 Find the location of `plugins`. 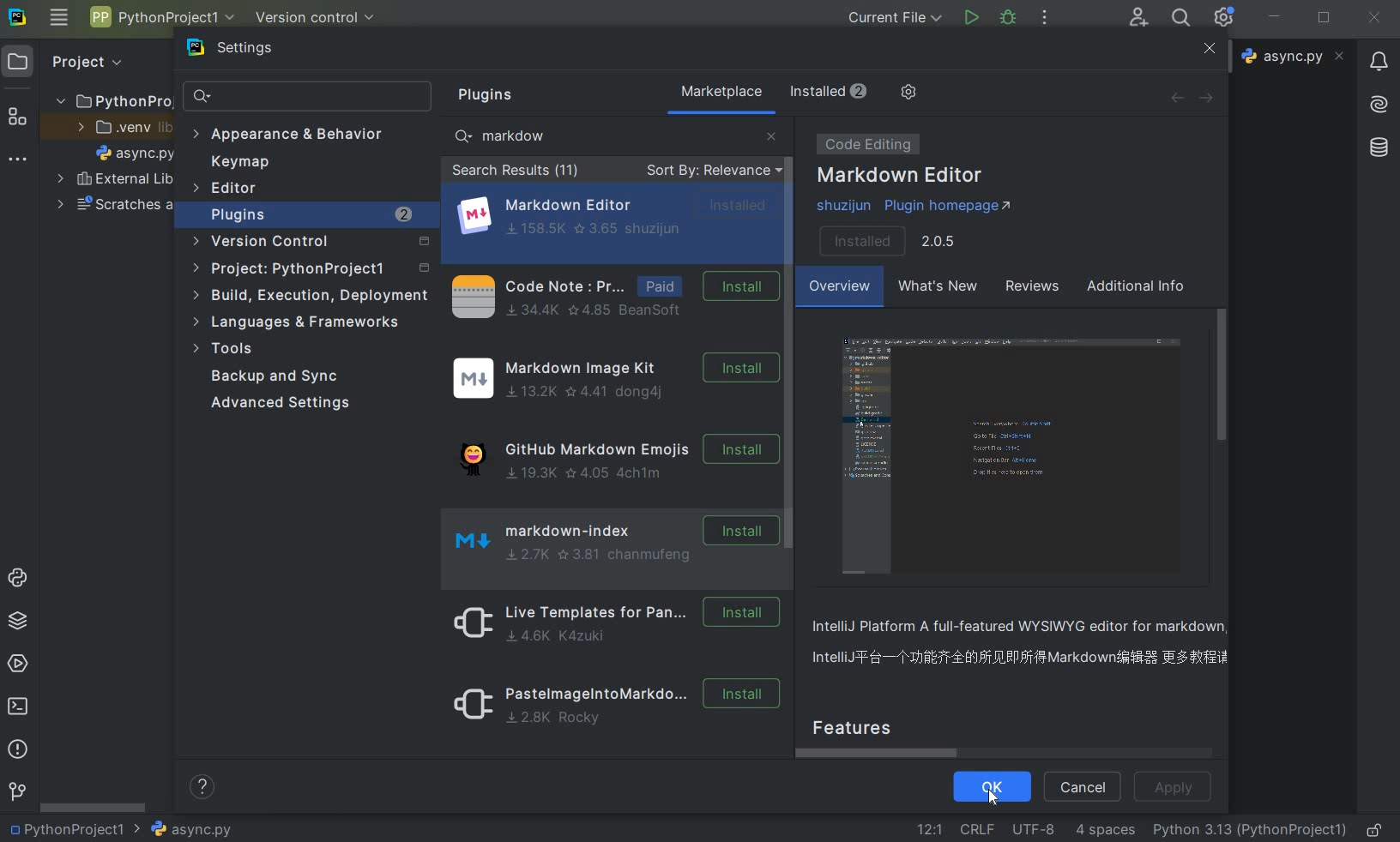

plugins is located at coordinates (312, 215).